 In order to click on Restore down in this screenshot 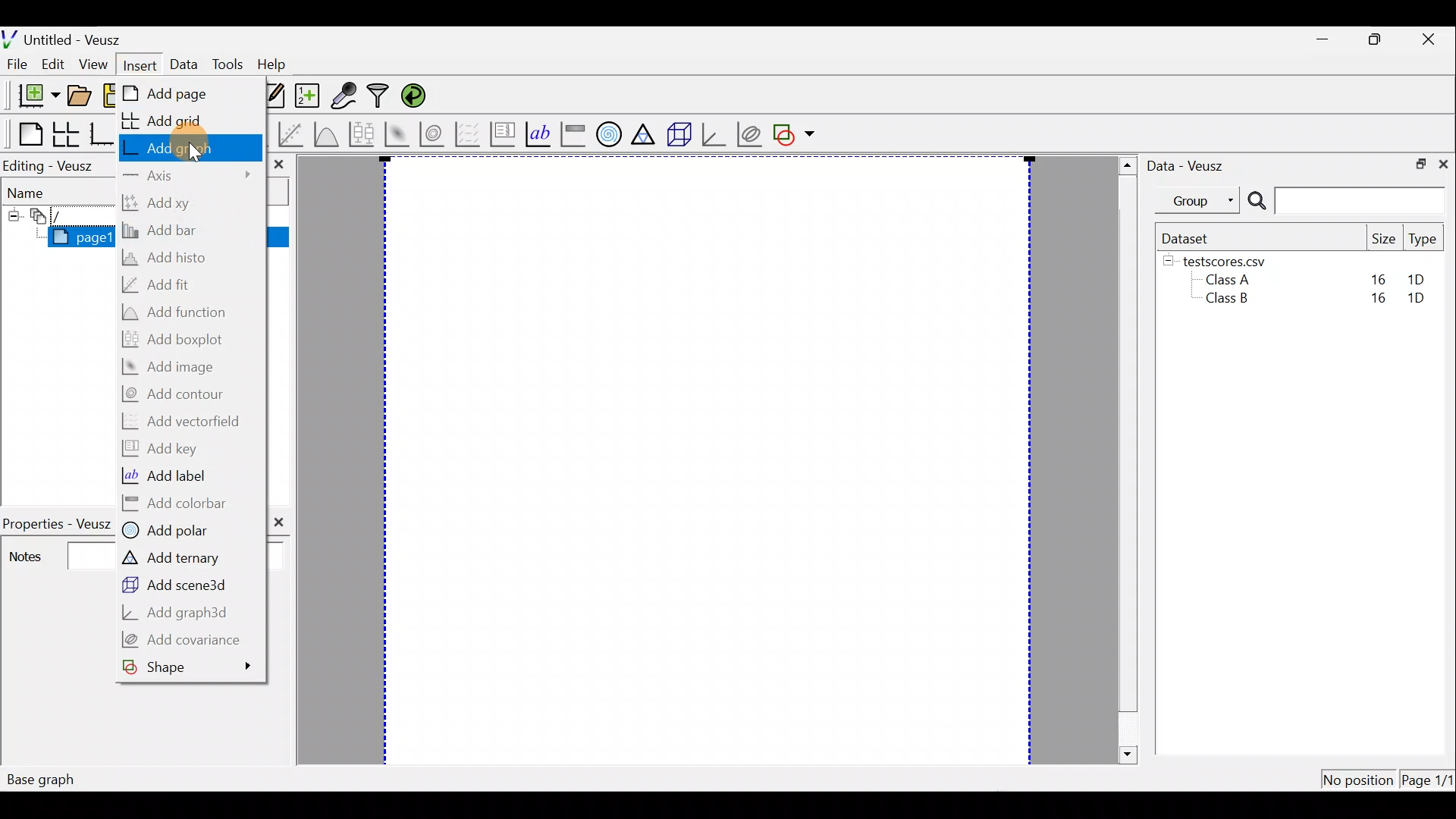, I will do `click(1419, 165)`.